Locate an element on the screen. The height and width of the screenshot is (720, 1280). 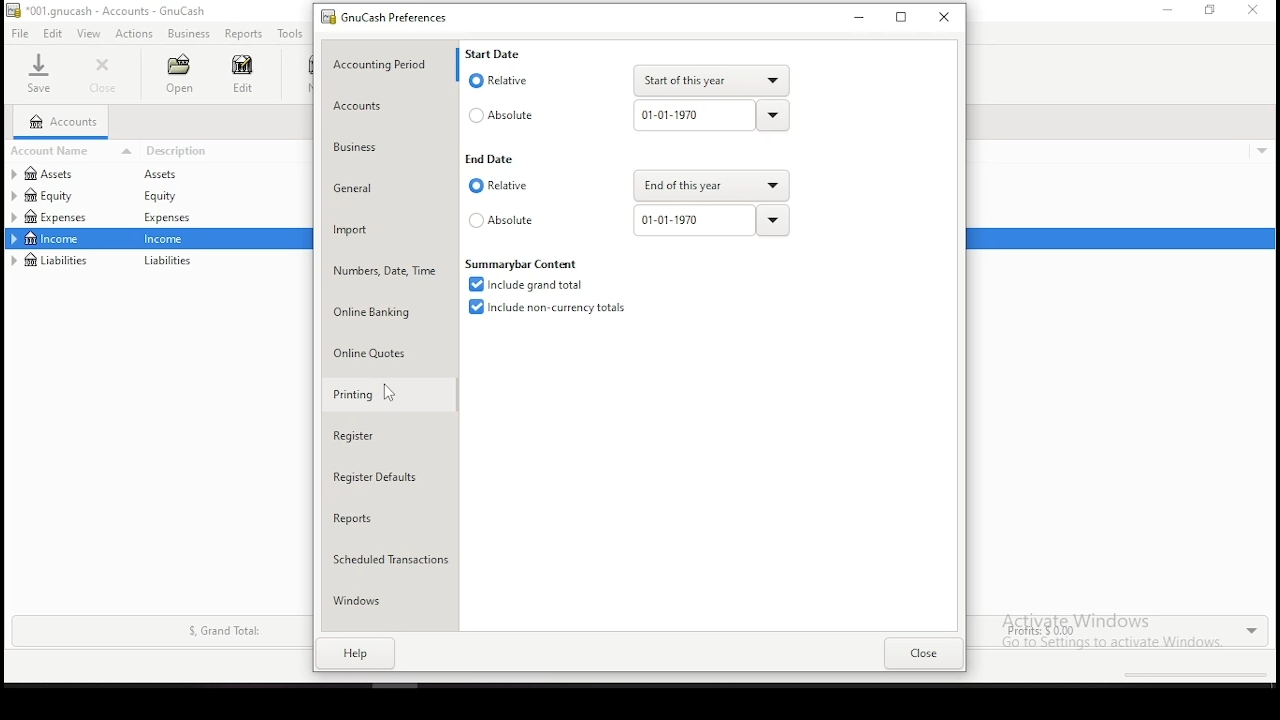
liabilities is located at coordinates (168, 262).